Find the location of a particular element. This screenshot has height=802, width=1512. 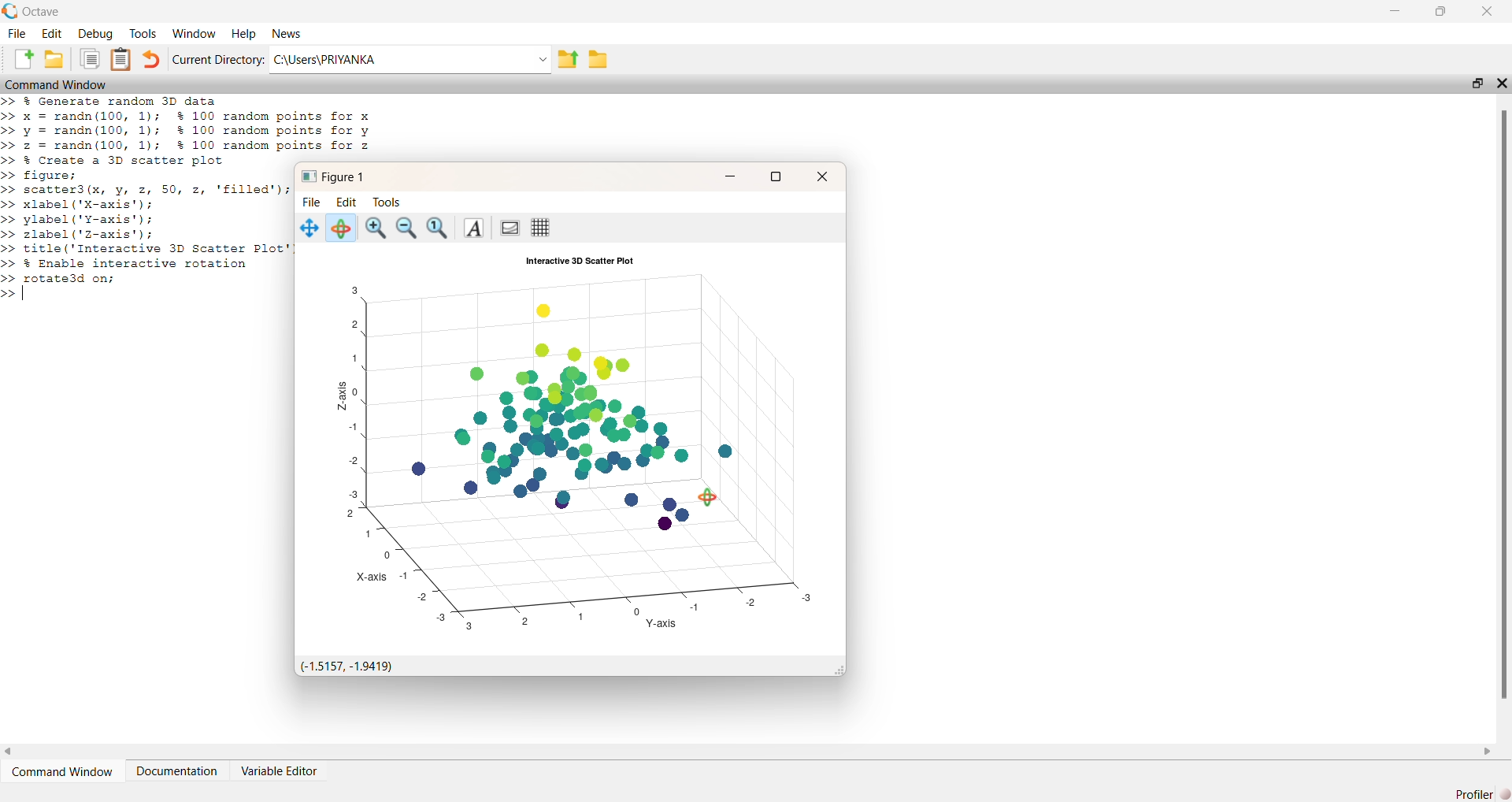

>> | is located at coordinates (17, 295).